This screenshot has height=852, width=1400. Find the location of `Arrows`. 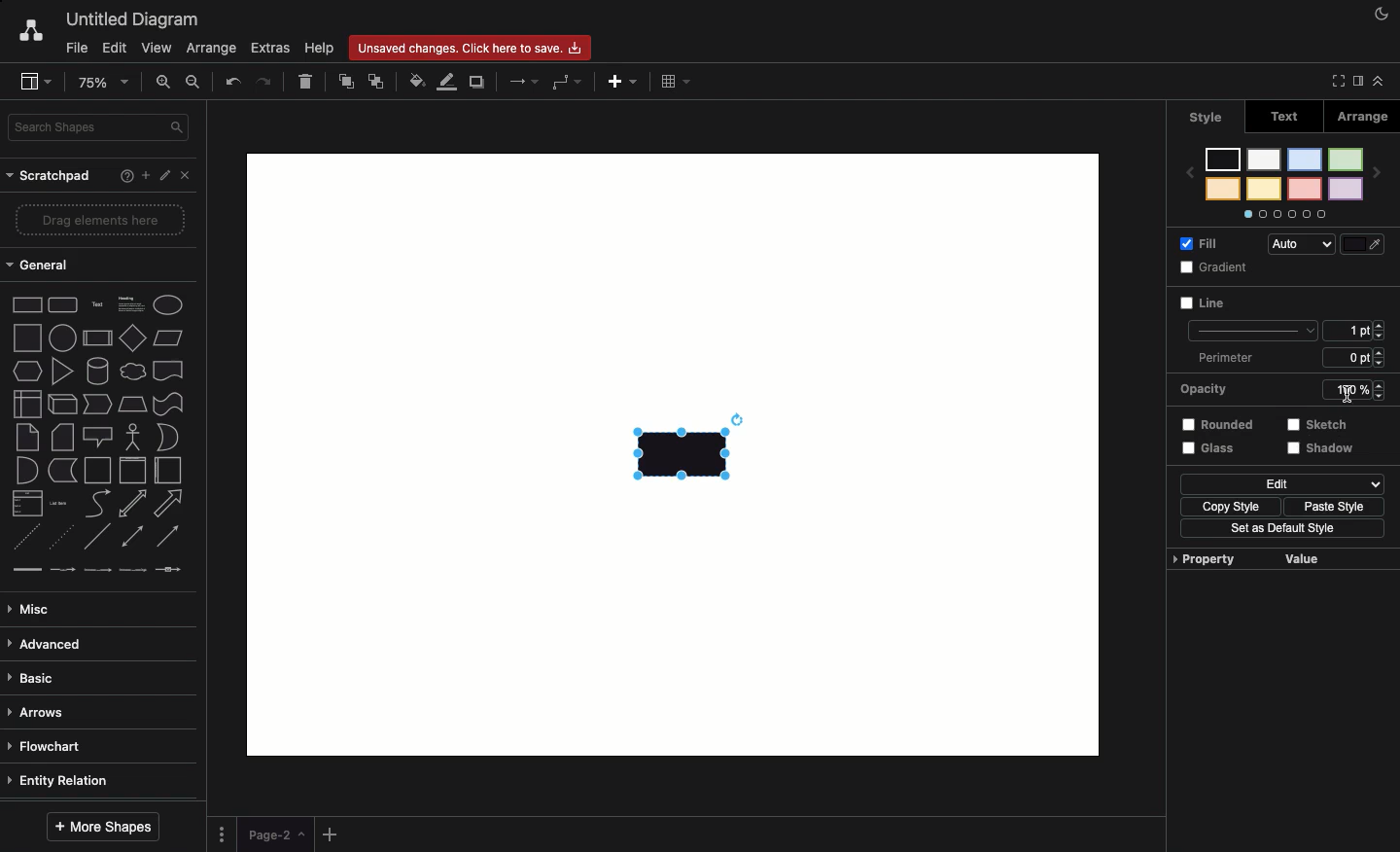

Arrows is located at coordinates (519, 81).